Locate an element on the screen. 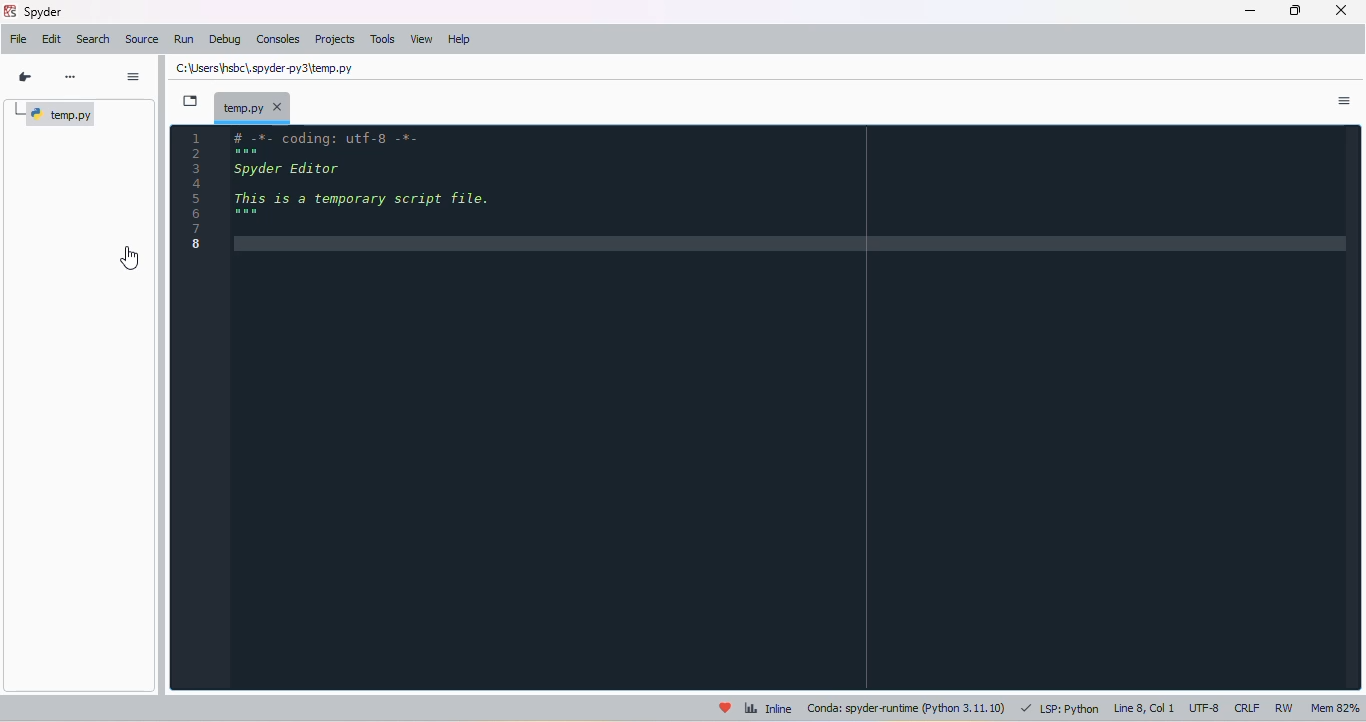  view is located at coordinates (421, 39).